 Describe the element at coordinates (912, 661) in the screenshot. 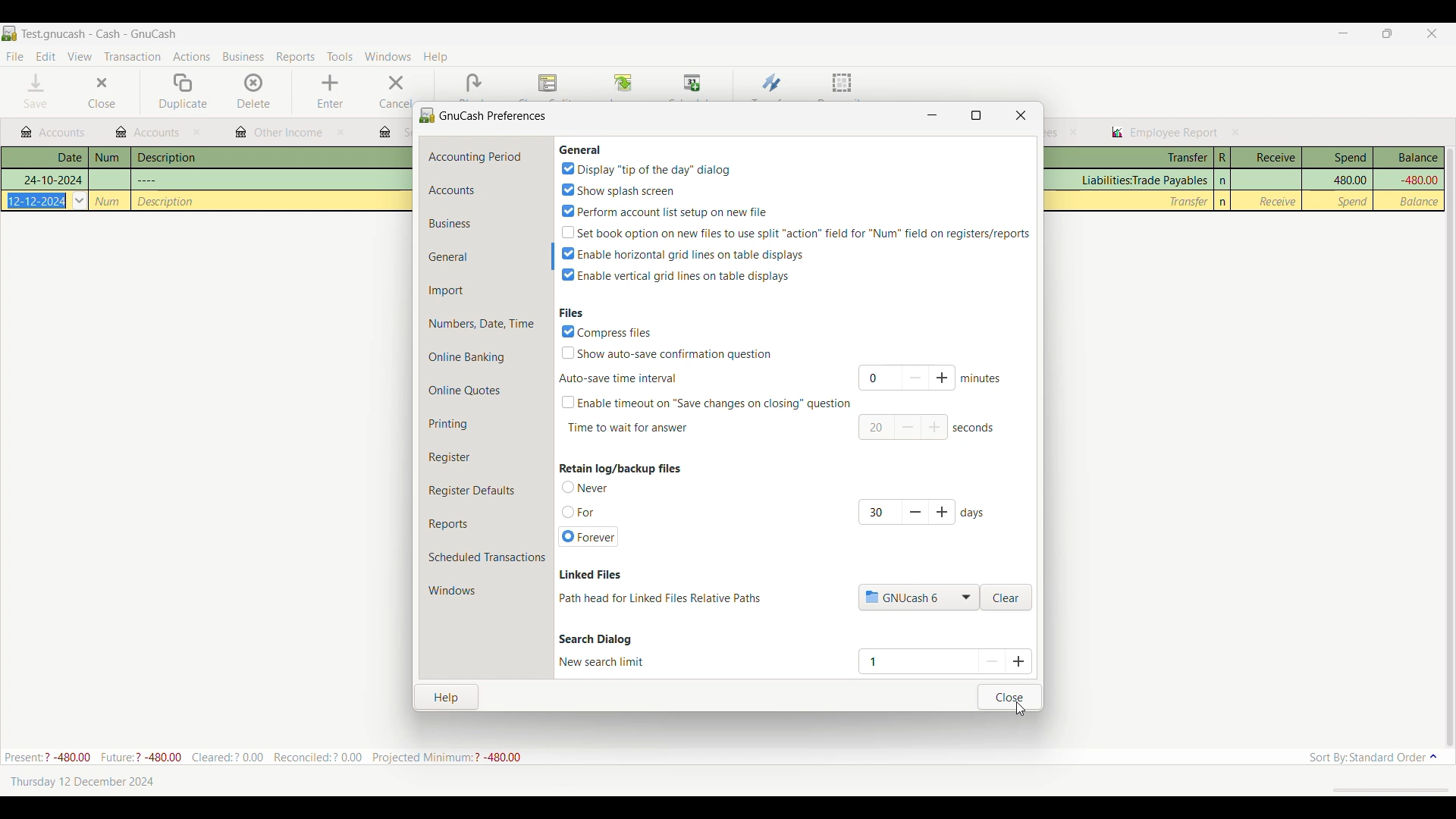

I see `Click to type in number` at that location.